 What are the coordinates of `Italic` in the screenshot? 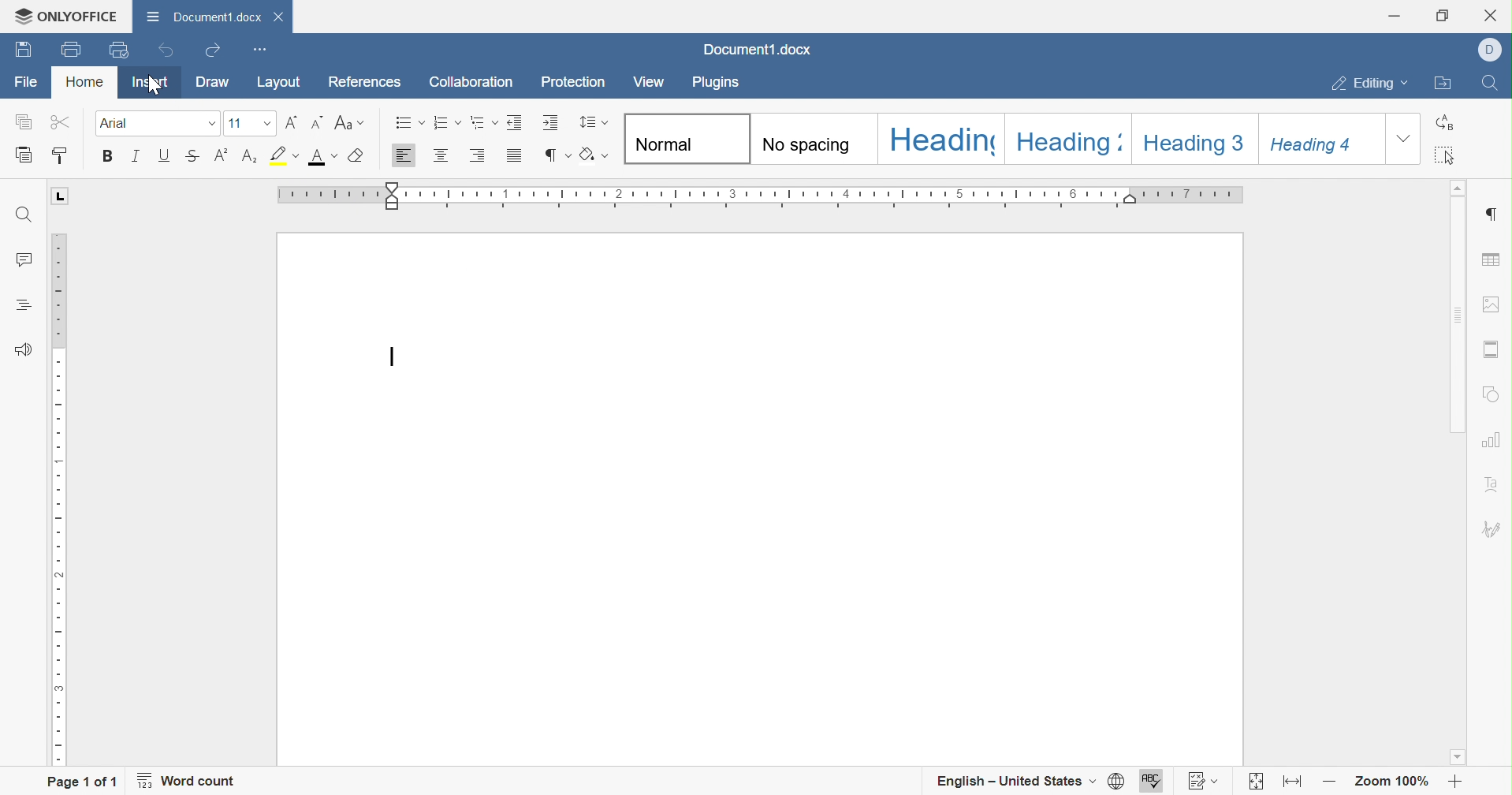 It's located at (139, 154).